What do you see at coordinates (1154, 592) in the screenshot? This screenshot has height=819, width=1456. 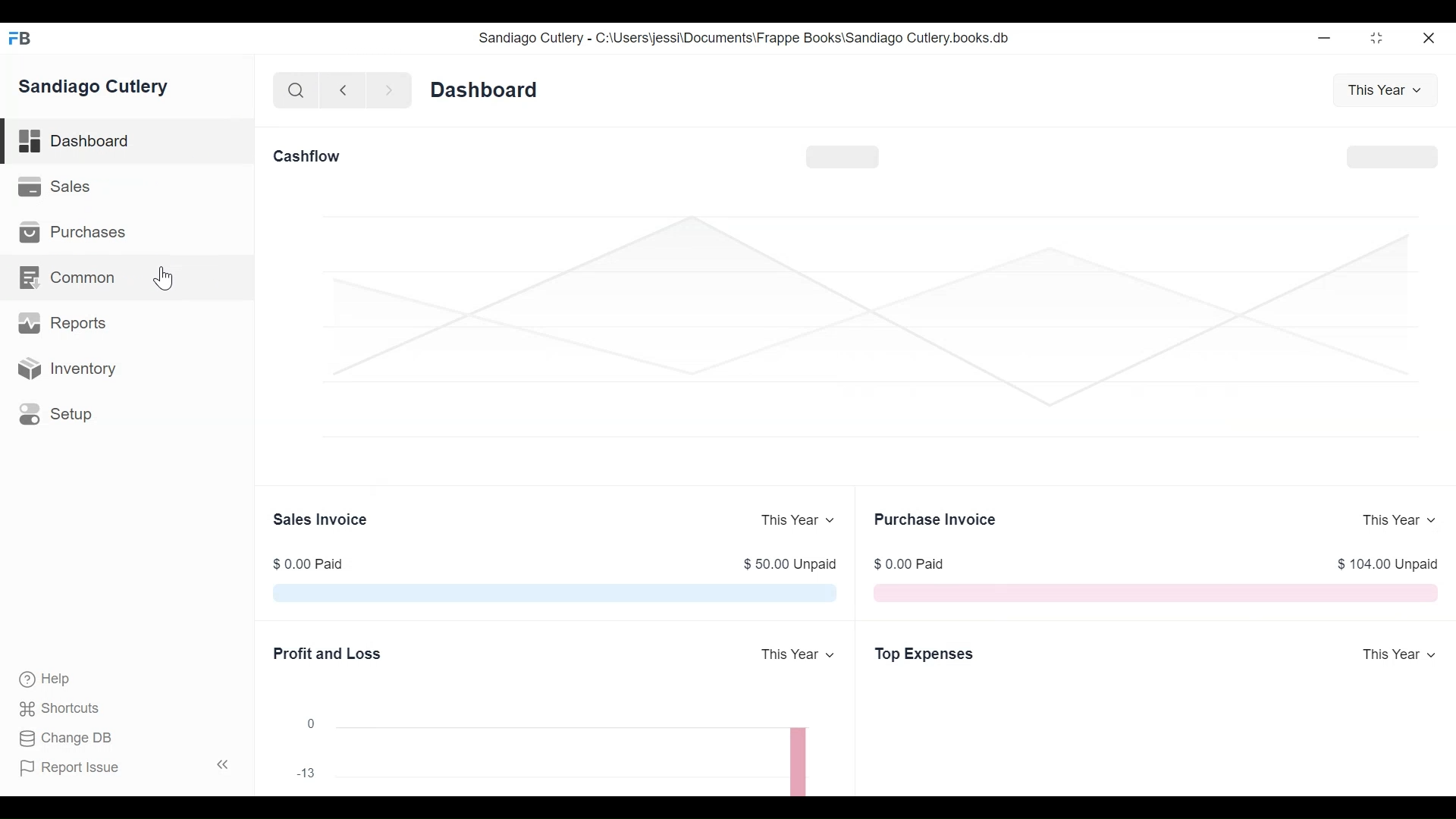 I see `The Purchase Invoice section shows the total outstanding amount that Sandiago Cutlery have to pay to their suppliers for your purchases` at bounding box center [1154, 592].